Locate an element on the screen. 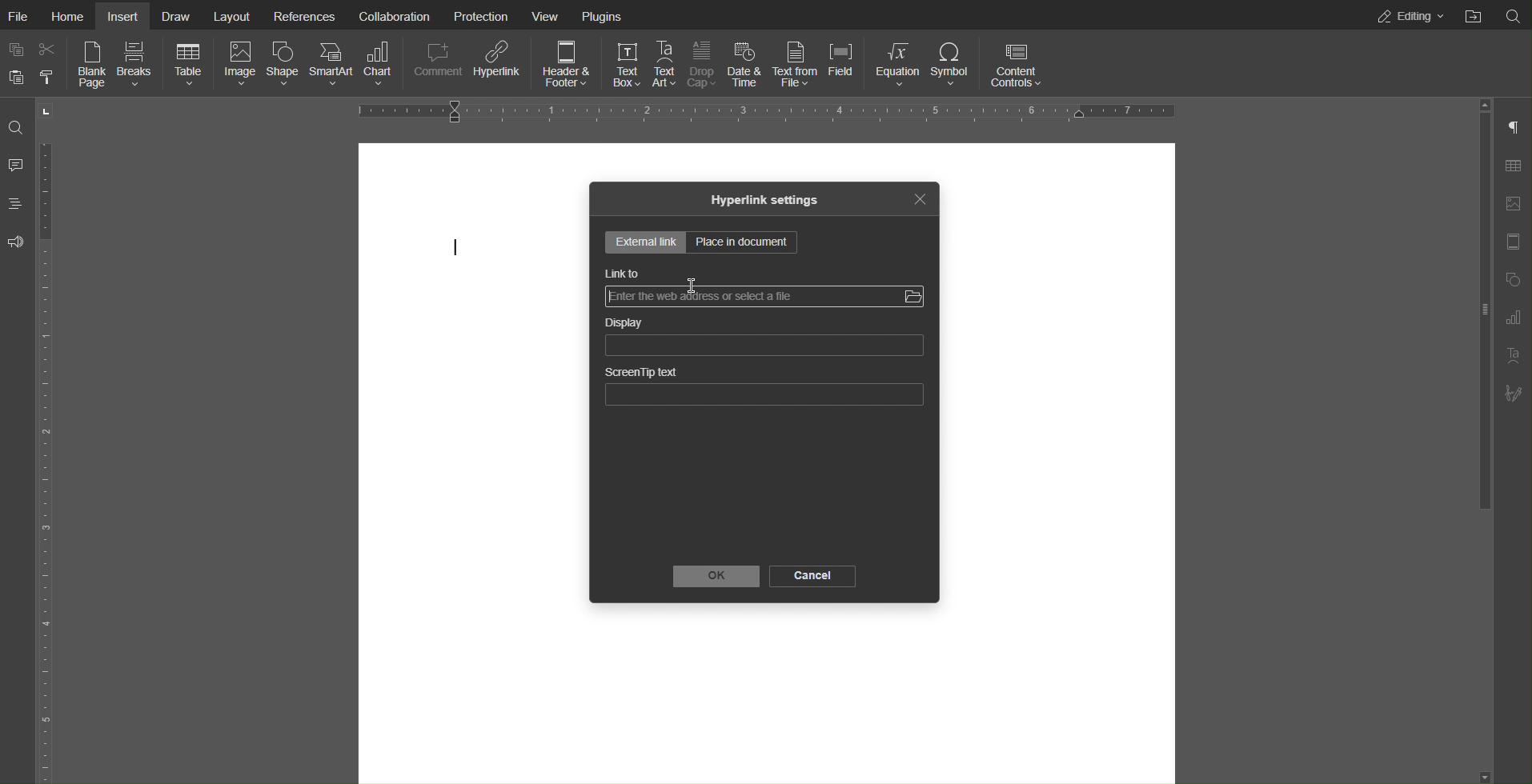 The height and width of the screenshot is (784, 1532). External Settings is located at coordinates (647, 242).